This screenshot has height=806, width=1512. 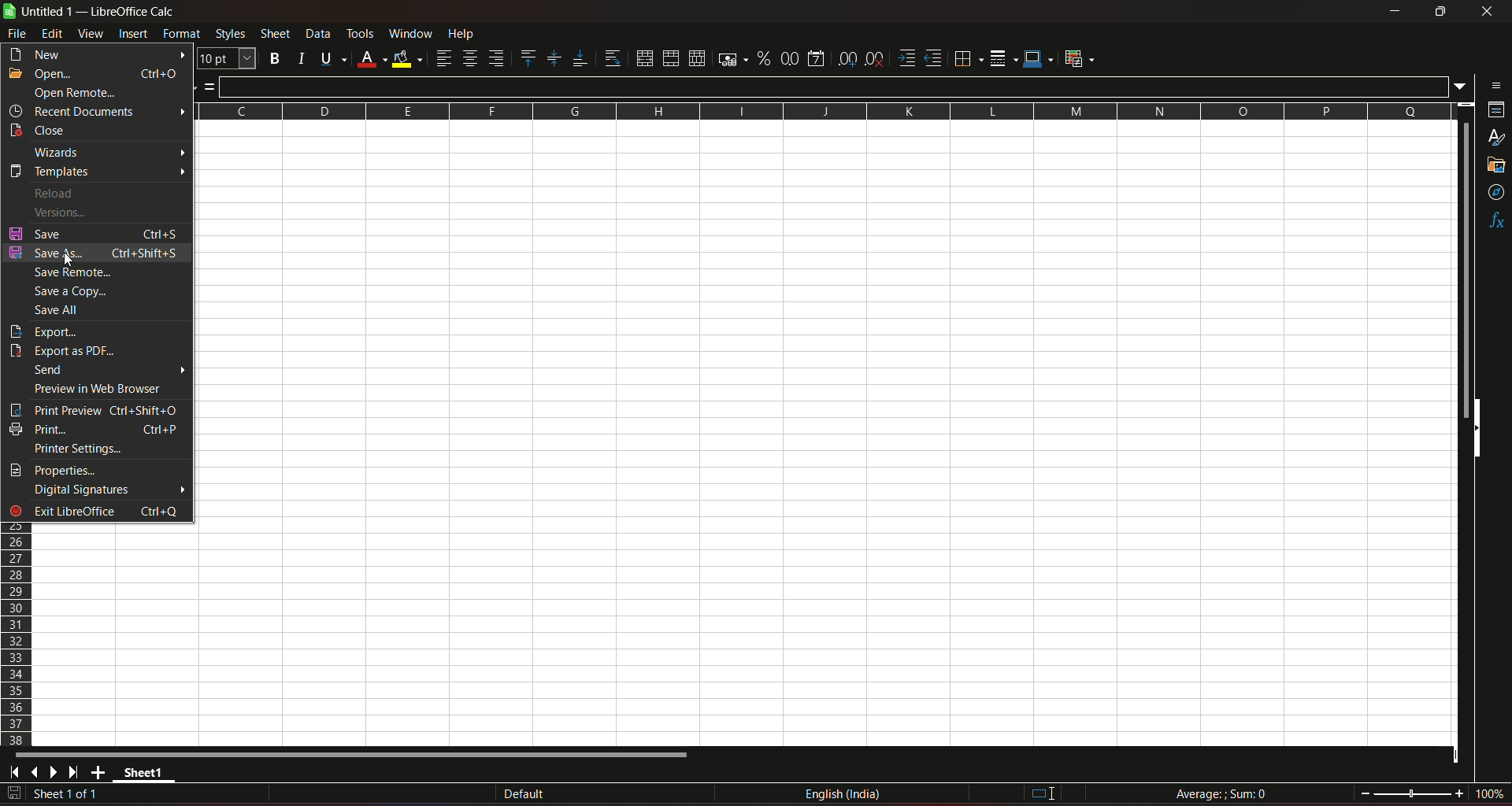 I want to click on help, so click(x=472, y=35).